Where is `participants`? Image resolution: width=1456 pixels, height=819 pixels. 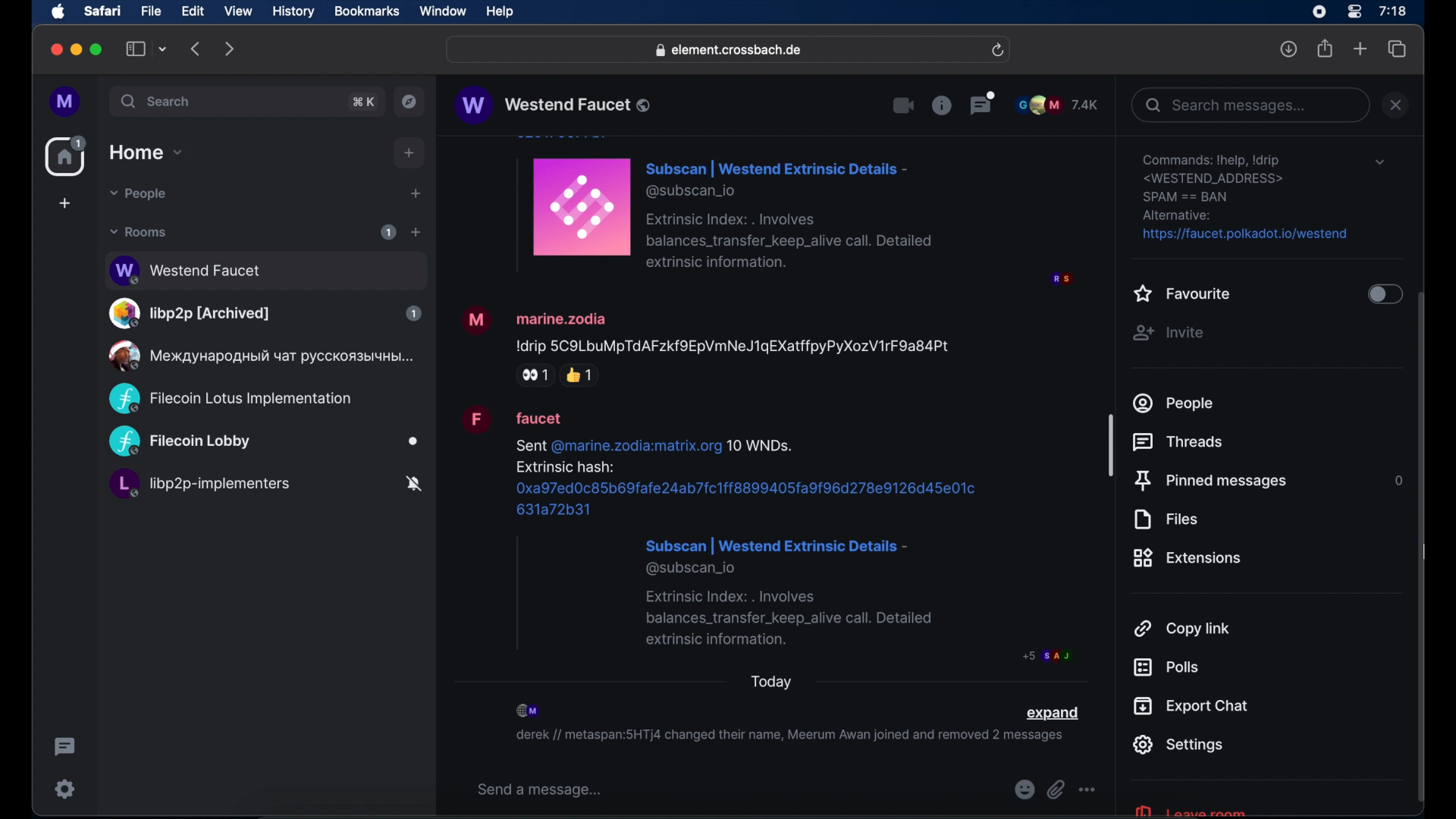
participants is located at coordinates (529, 711).